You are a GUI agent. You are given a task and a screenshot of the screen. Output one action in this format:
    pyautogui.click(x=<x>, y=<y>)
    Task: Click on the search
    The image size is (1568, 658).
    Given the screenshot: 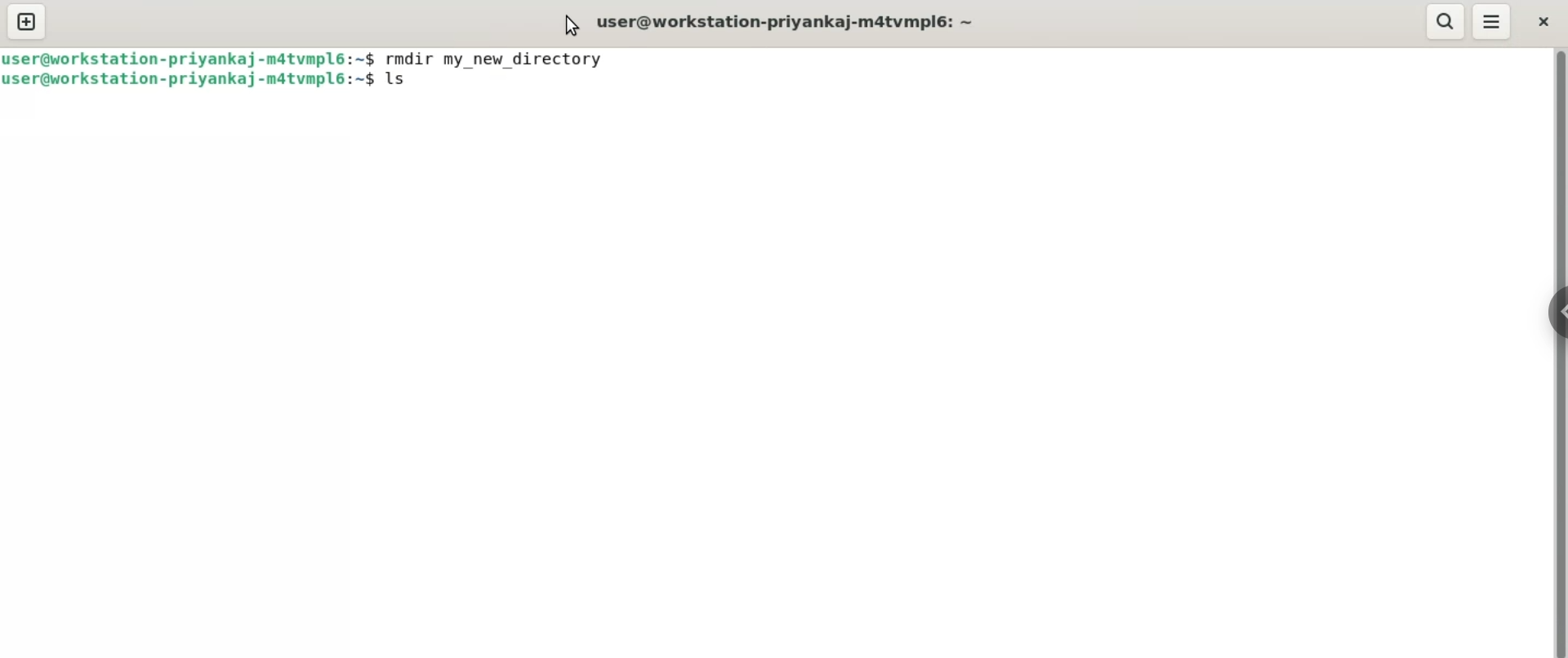 What is the action you would take?
    pyautogui.click(x=1444, y=21)
    